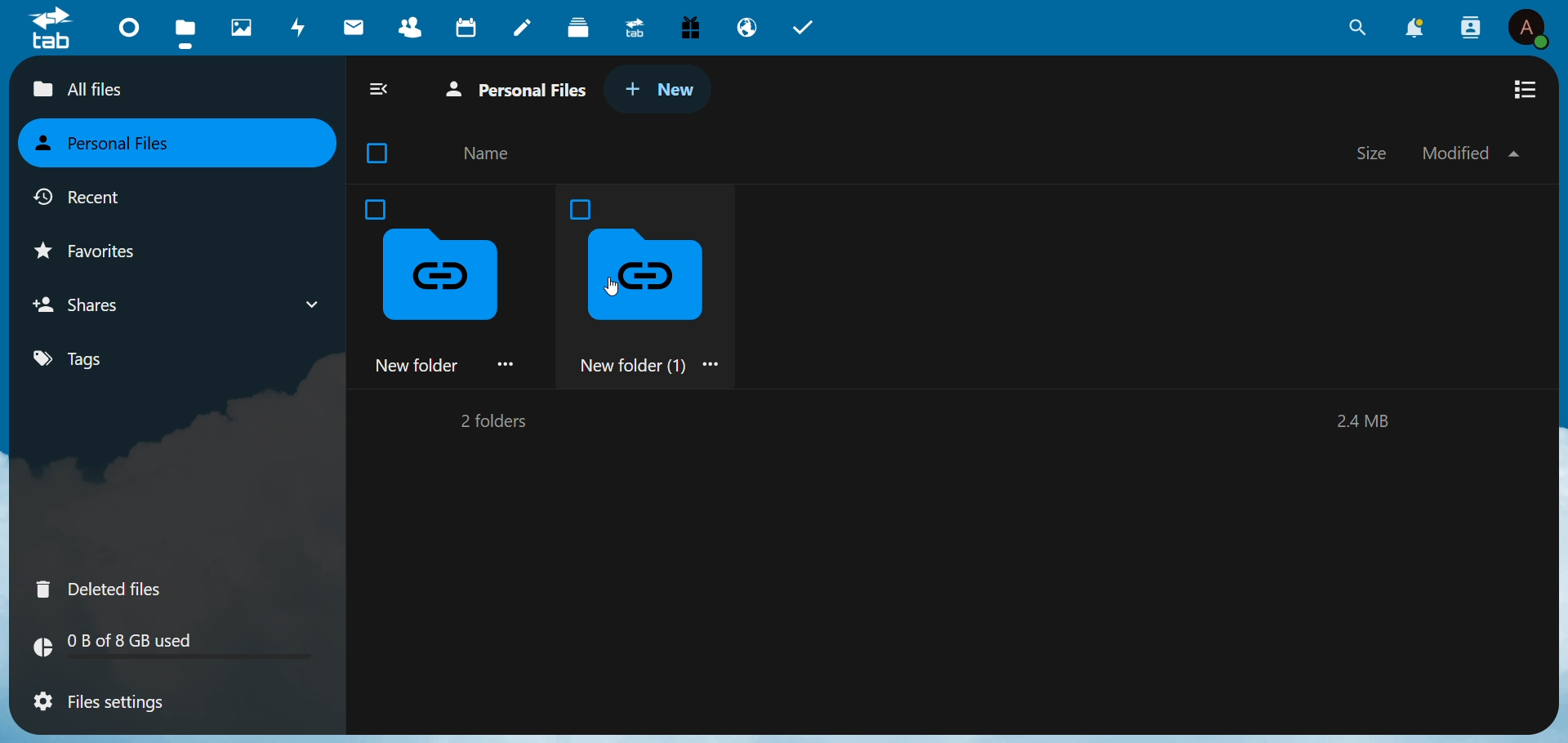  Describe the element at coordinates (1374, 151) in the screenshot. I see `size` at that location.